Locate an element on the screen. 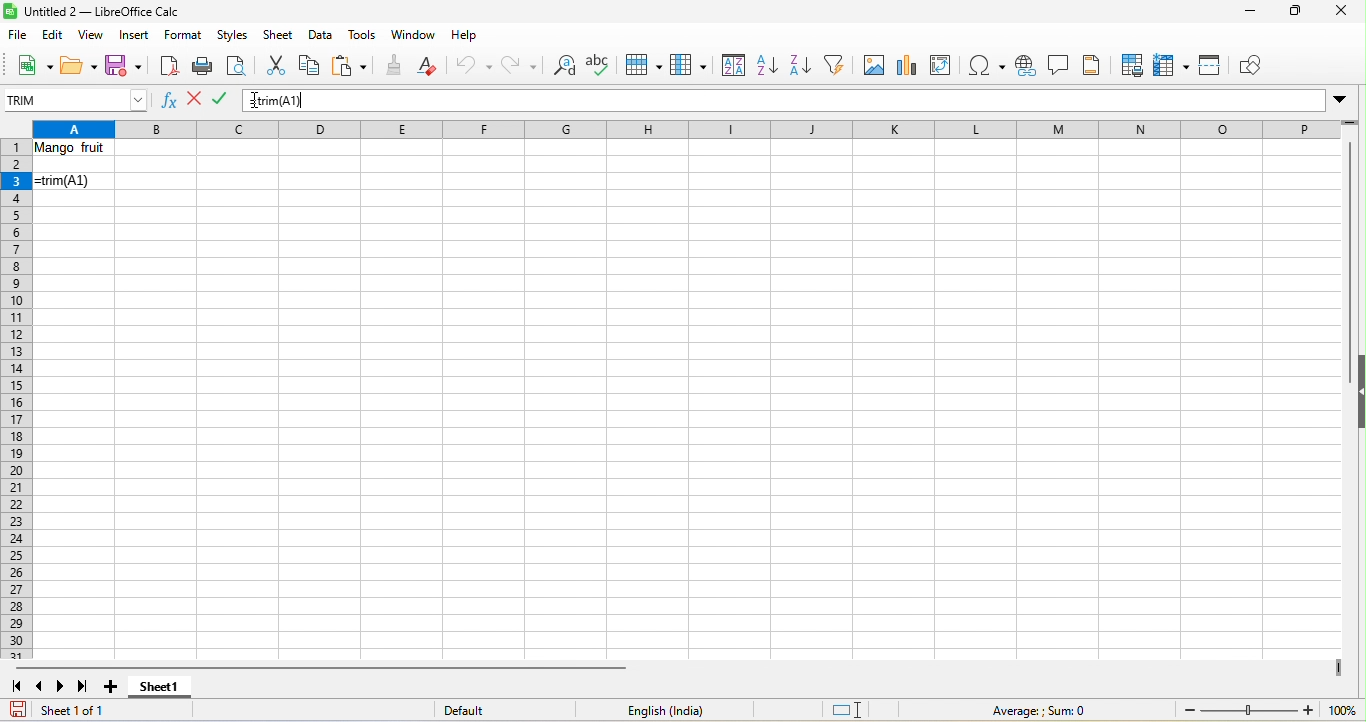 This screenshot has height=722, width=1366. find and replace is located at coordinates (561, 67).